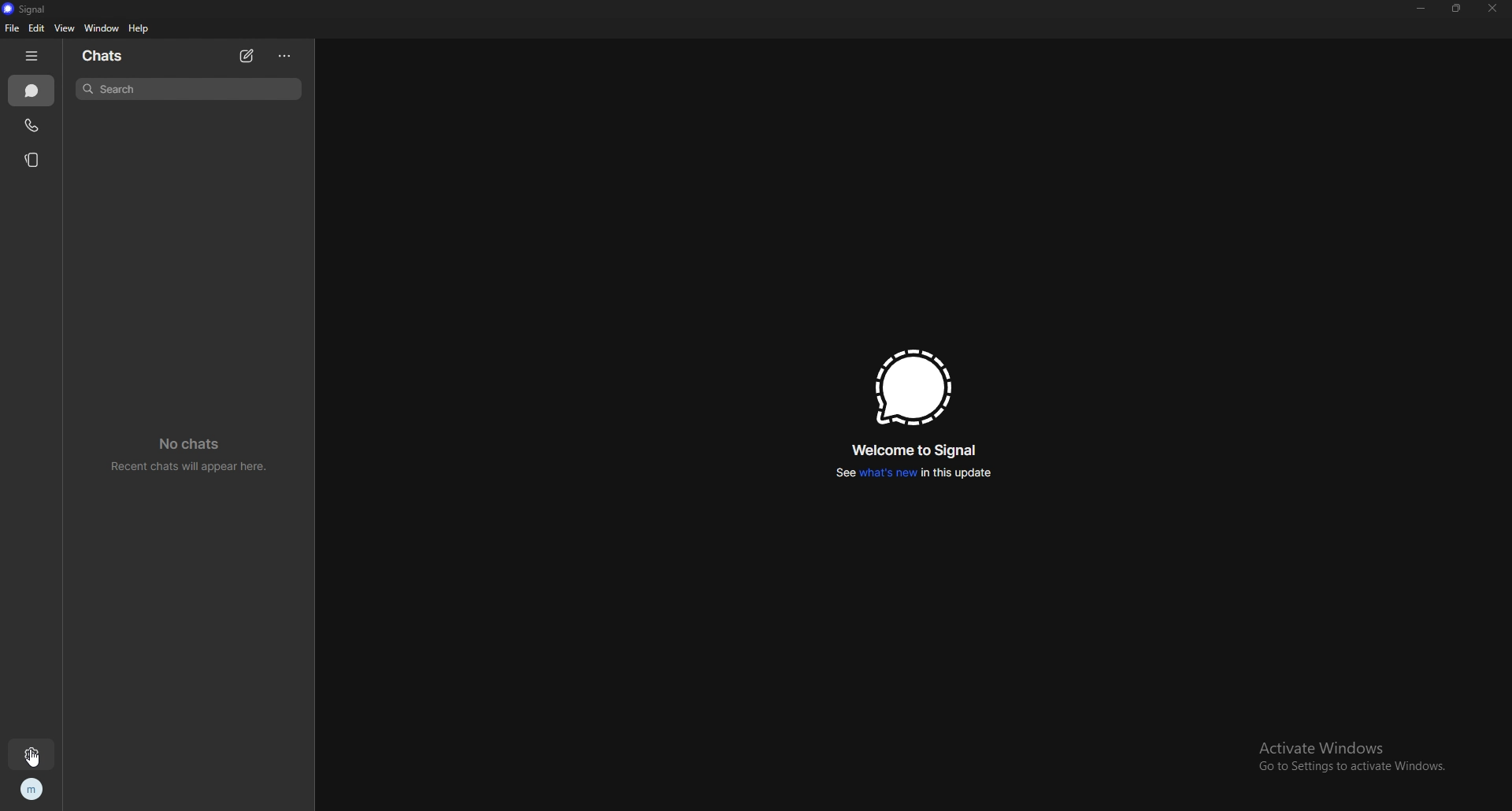  I want to click on close, so click(1492, 9).